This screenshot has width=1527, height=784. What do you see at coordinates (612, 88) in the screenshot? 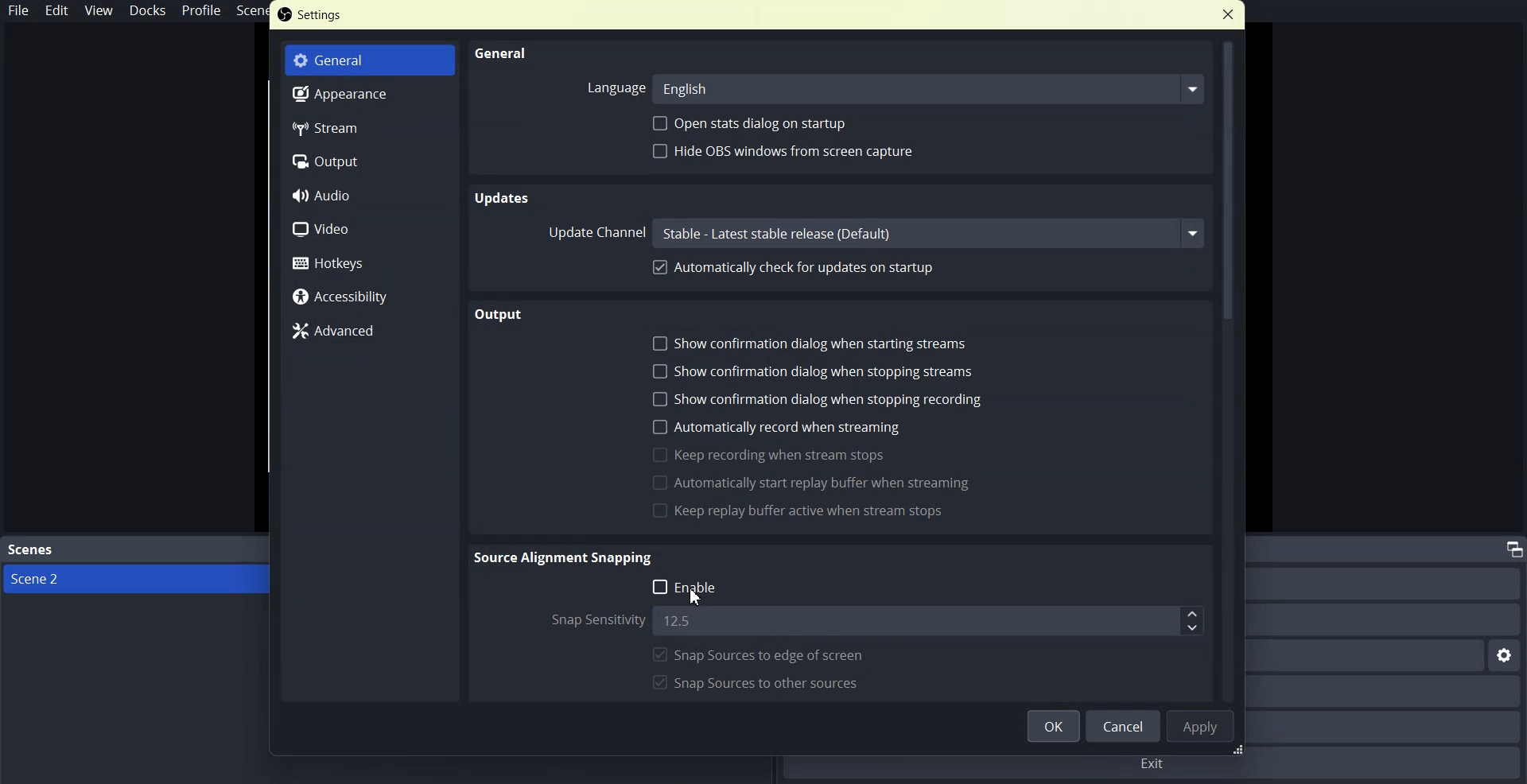
I see `Language` at bounding box center [612, 88].